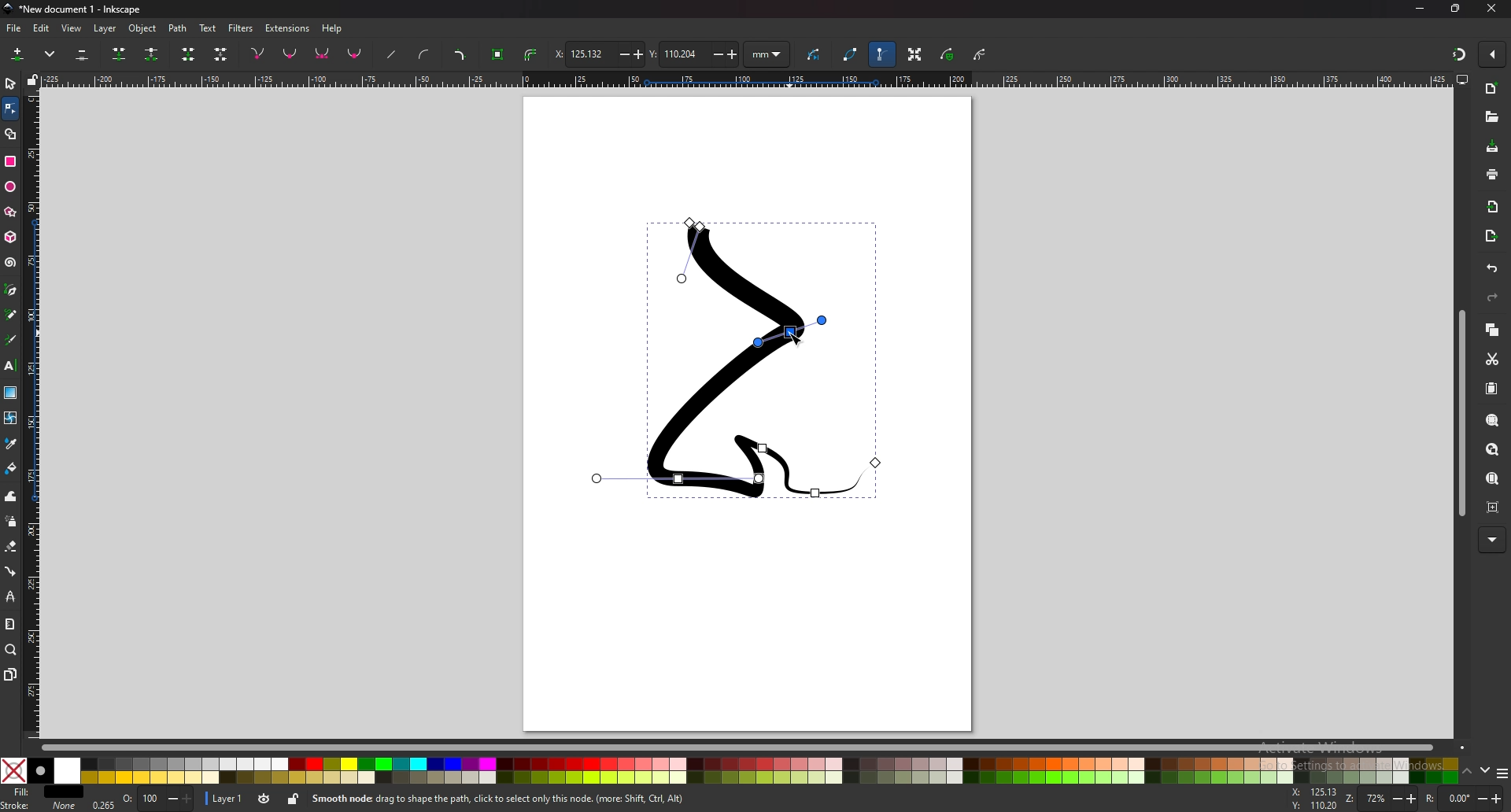 The image size is (1511, 812). Describe the element at coordinates (1491, 359) in the screenshot. I see `cut` at that location.